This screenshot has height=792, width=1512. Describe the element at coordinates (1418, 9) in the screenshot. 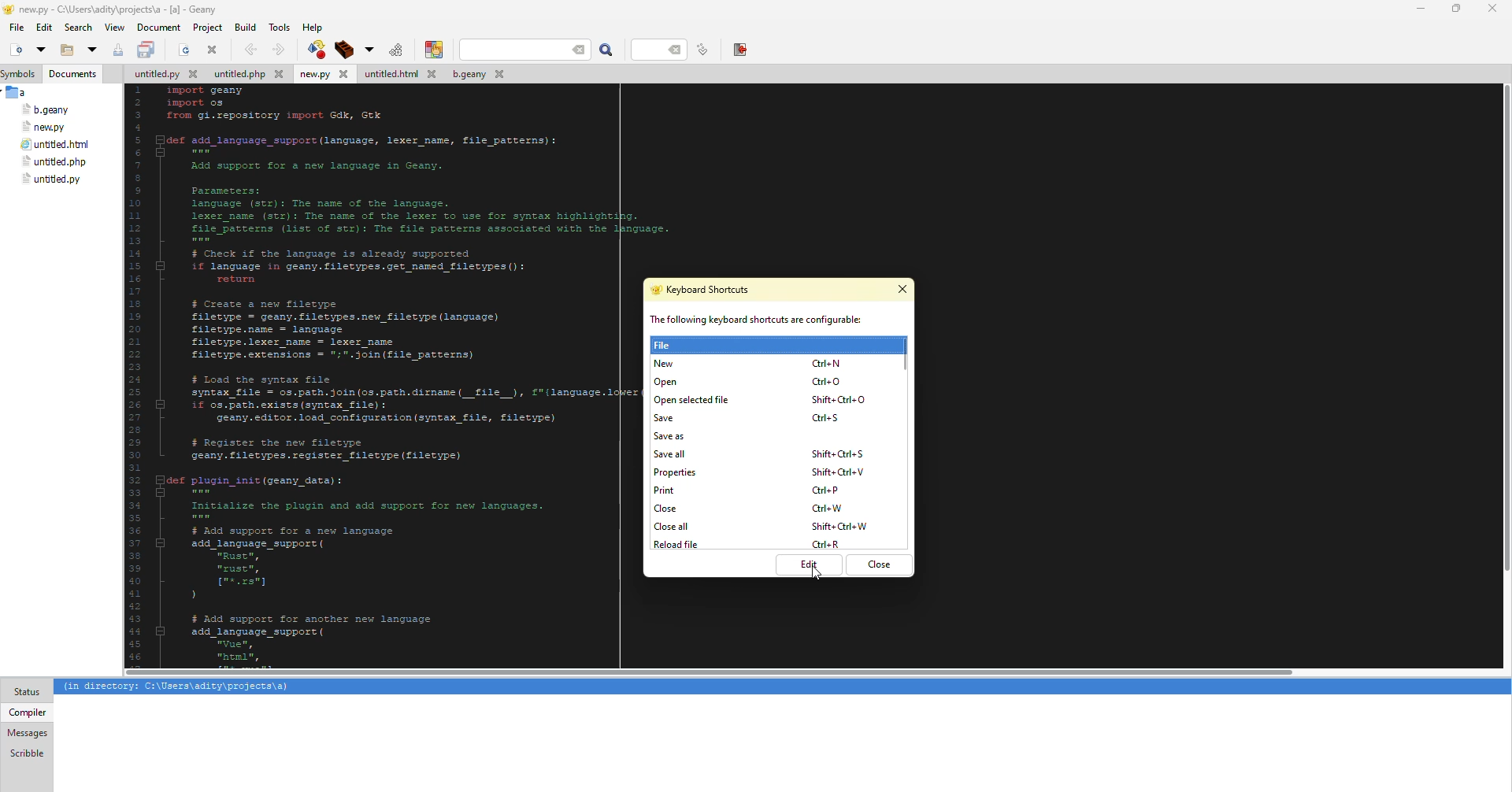

I see `minimize` at that location.